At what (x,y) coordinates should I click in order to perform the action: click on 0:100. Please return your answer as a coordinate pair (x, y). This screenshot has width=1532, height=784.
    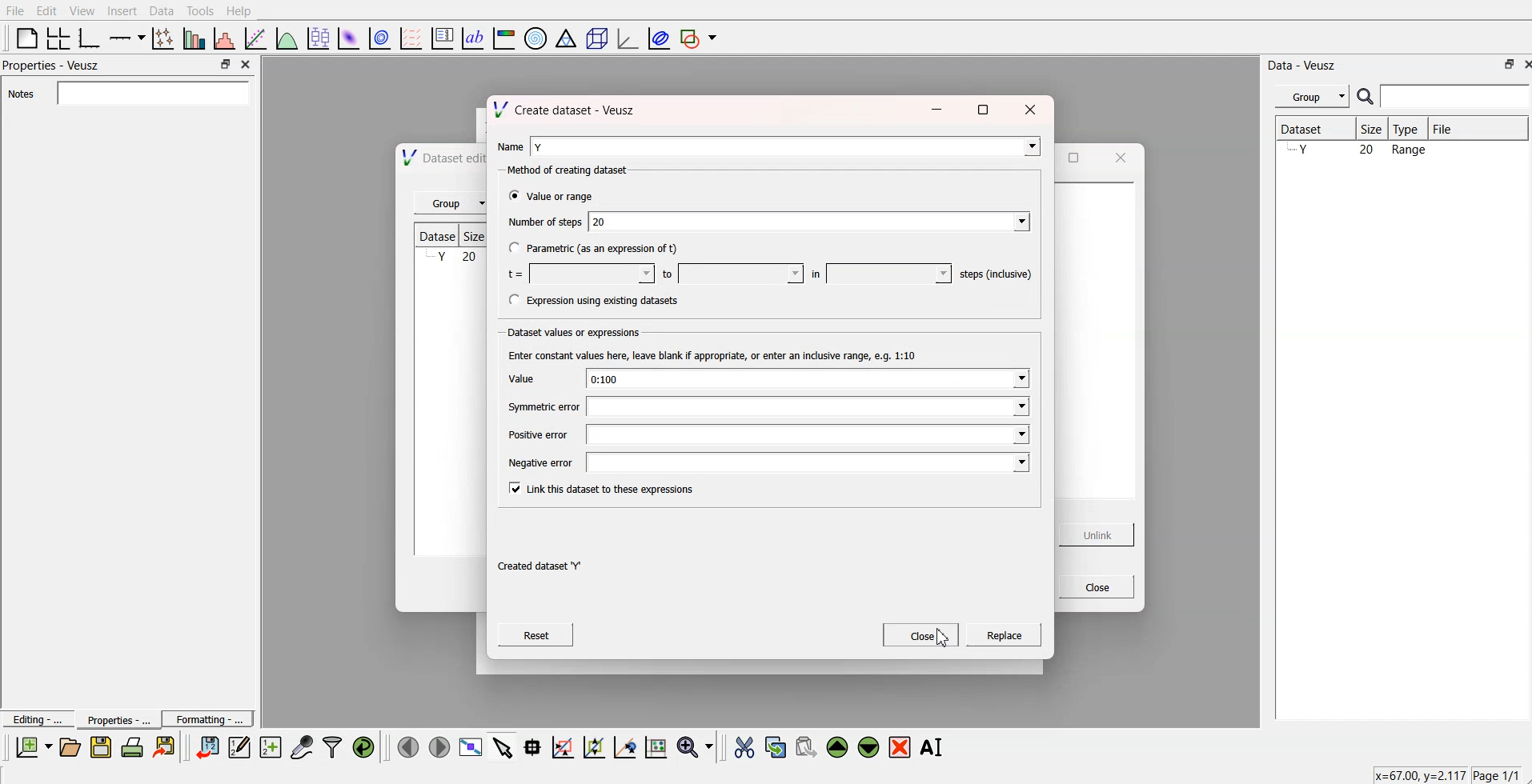
    Looking at the image, I should click on (806, 380).